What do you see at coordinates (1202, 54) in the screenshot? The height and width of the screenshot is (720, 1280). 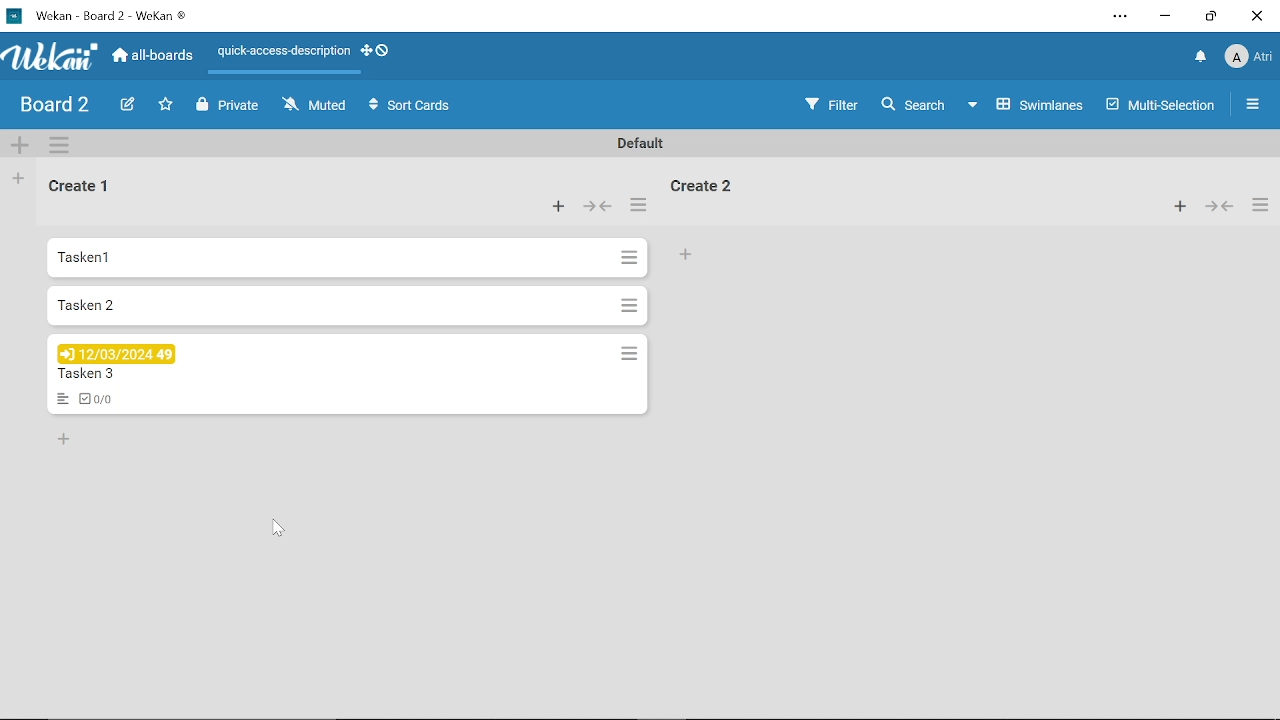 I see `Notifications` at bounding box center [1202, 54].